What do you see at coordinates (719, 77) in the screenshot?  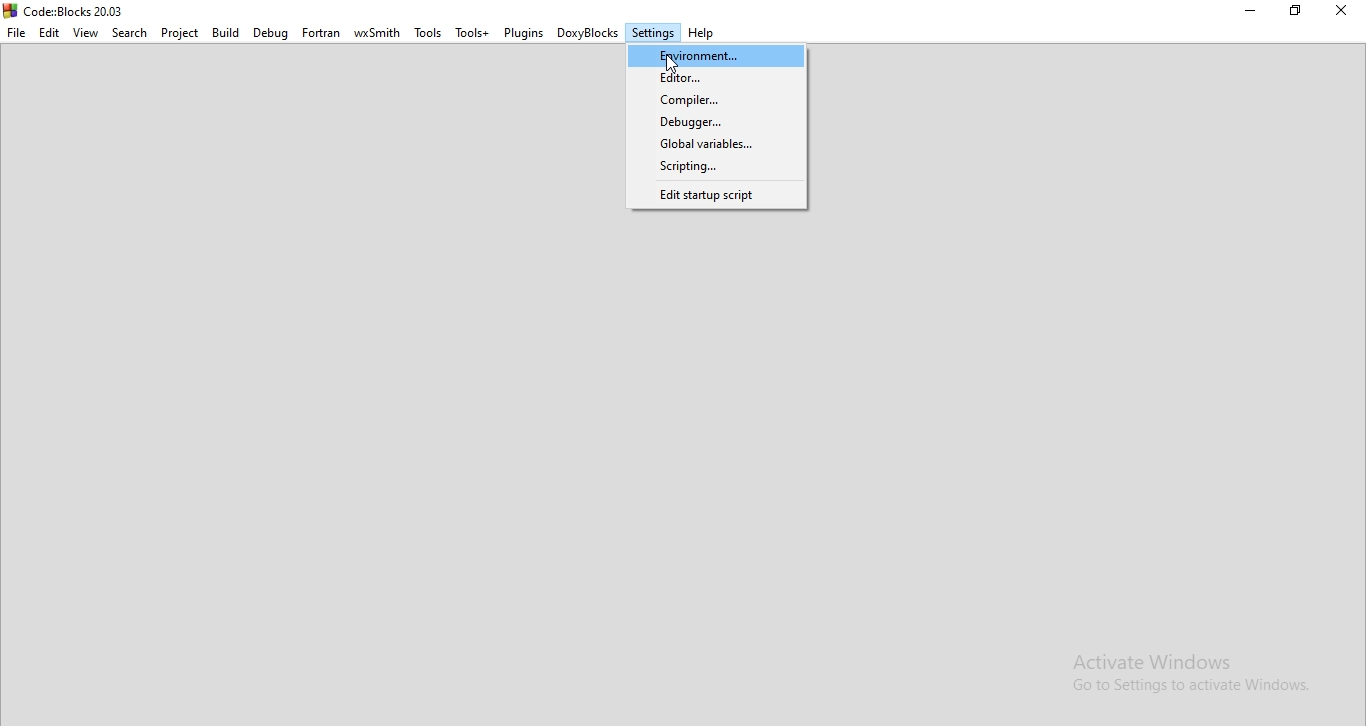 I see `Editior` at bounding box center [719, 77].